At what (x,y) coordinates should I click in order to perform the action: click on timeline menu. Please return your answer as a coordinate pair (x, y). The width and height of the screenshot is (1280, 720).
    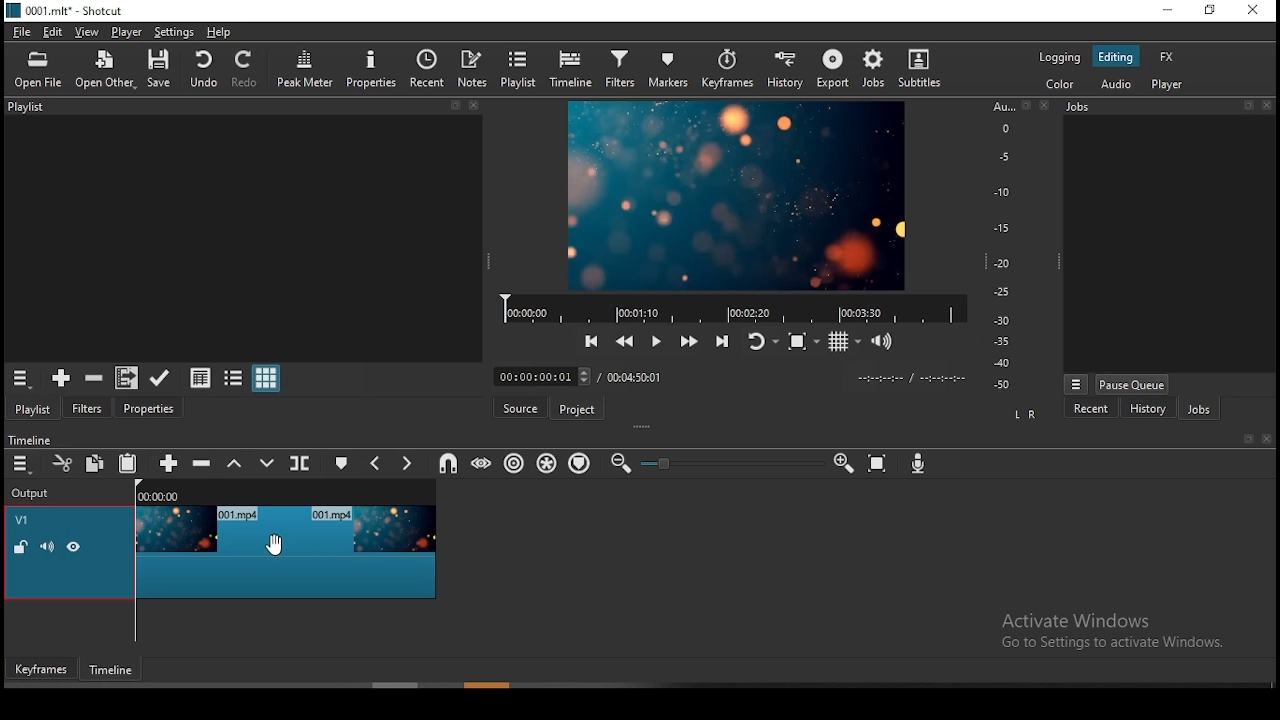
    Looking at the image, I should click on (23, 379).